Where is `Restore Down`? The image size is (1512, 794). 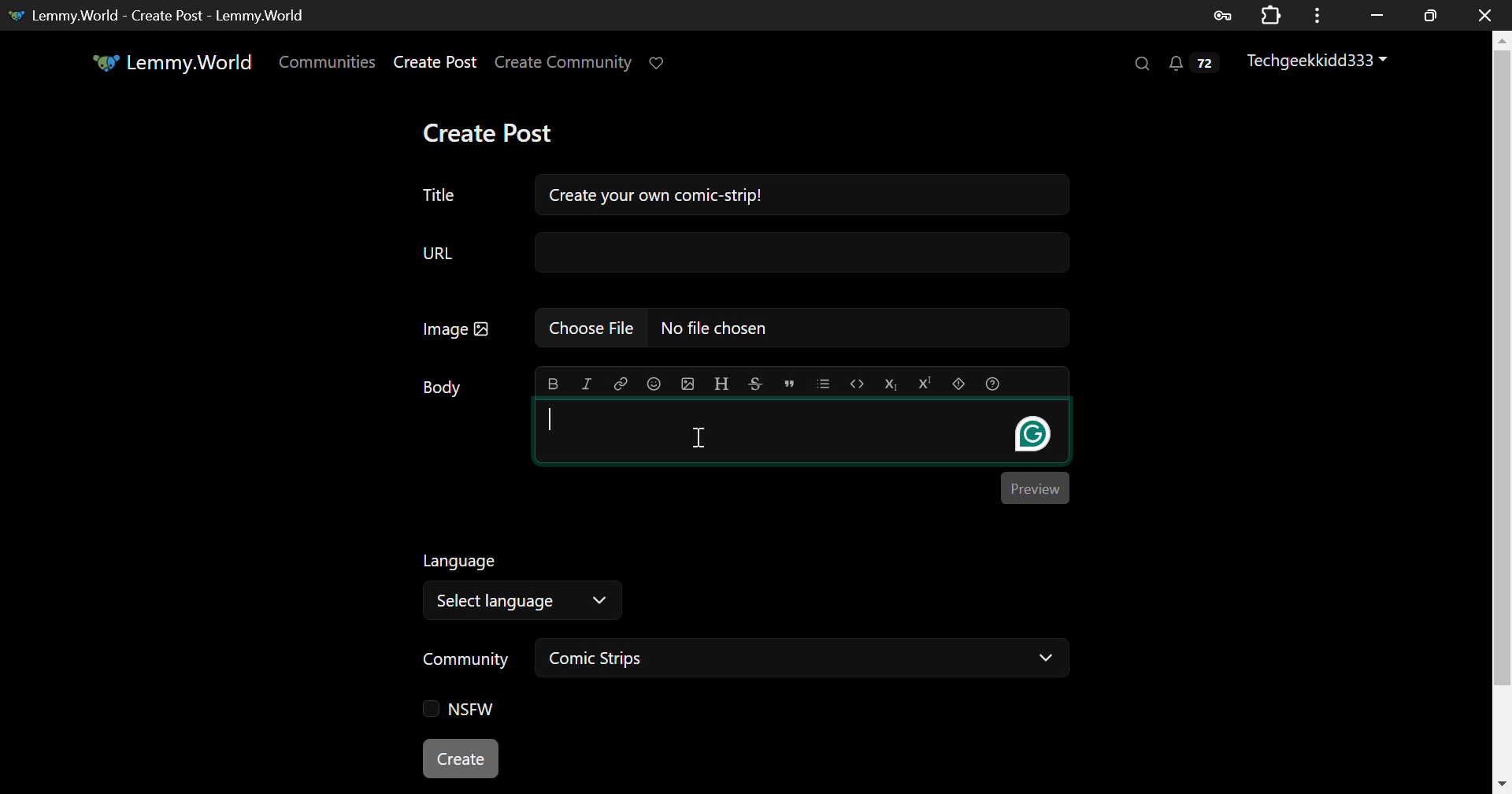
Restore Down is located at coordinates (1378, 13).